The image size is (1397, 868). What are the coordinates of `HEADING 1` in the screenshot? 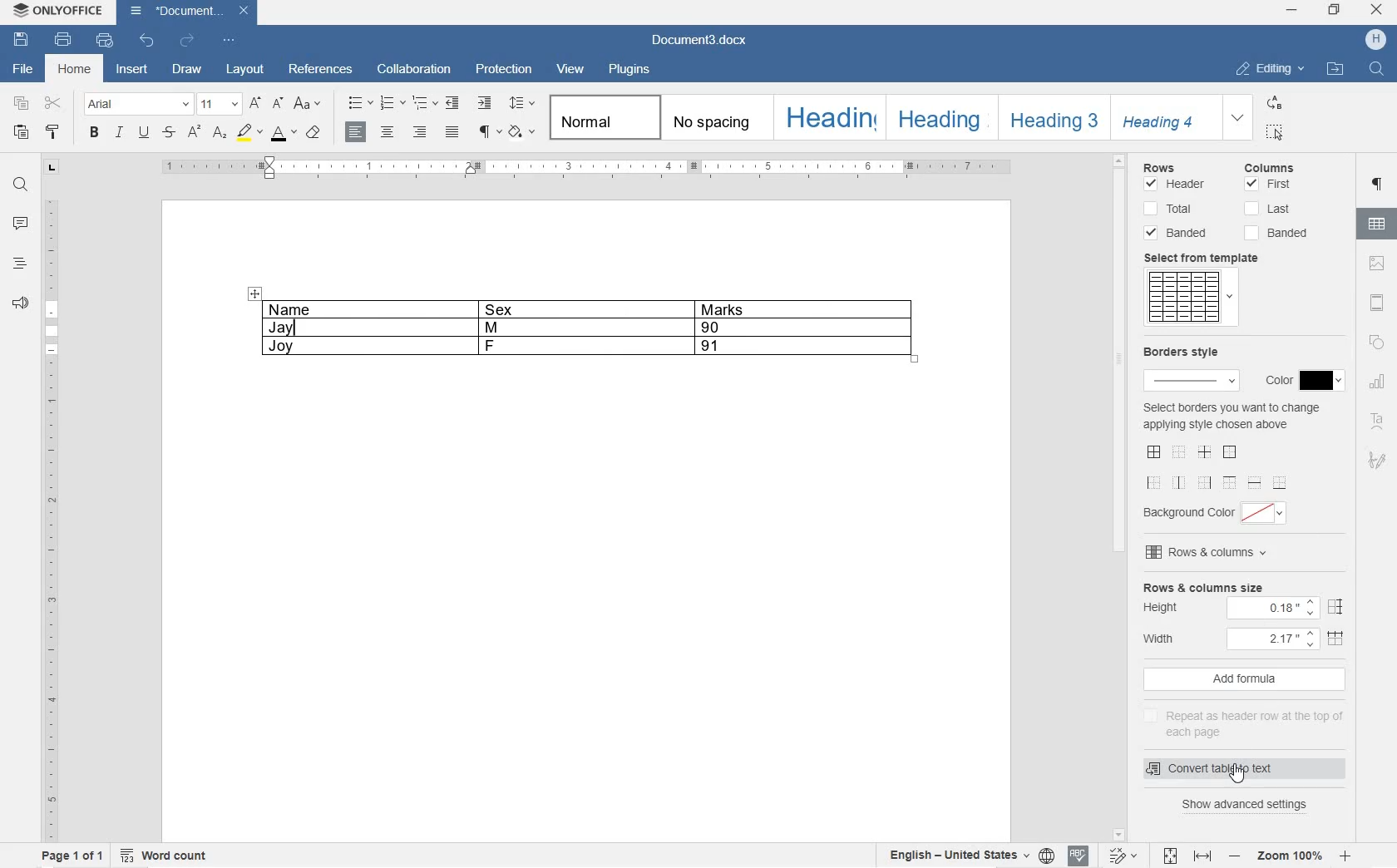 It's located at (828, 117).